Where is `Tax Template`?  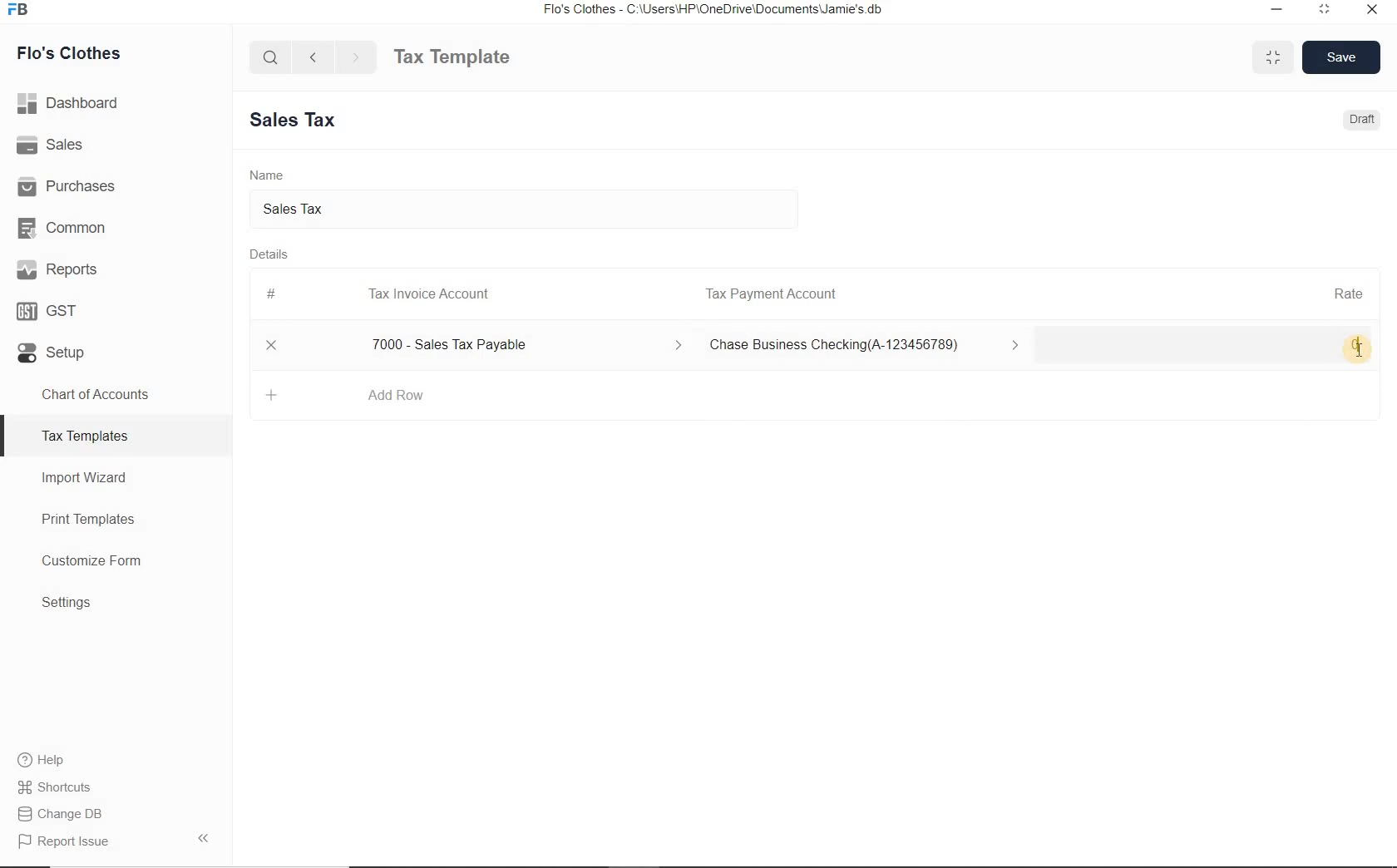 Tax Template is located at coordinates (452, 57).